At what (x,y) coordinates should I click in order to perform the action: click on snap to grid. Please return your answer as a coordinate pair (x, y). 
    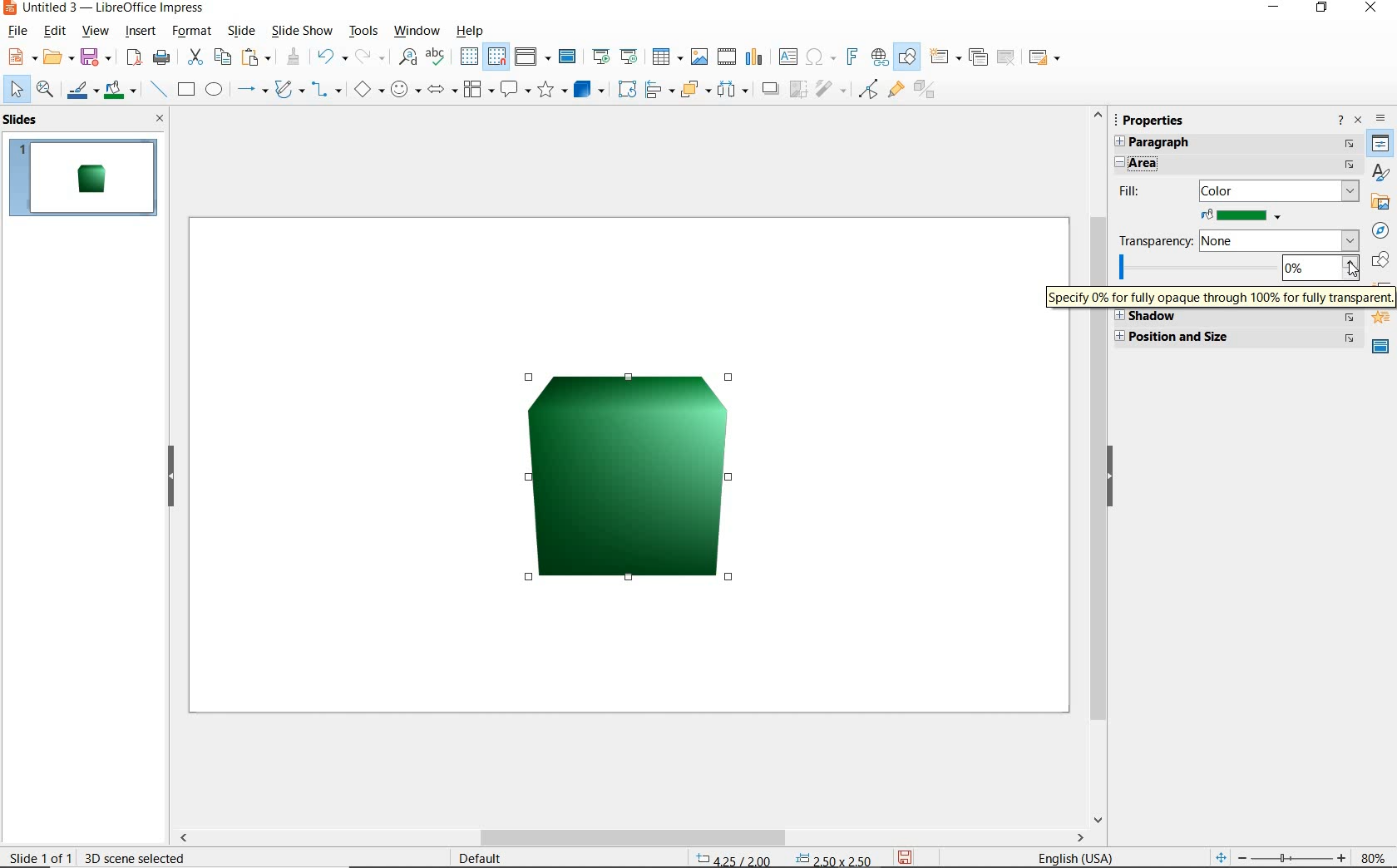
    Looking at the image, I should click on (497, 57).